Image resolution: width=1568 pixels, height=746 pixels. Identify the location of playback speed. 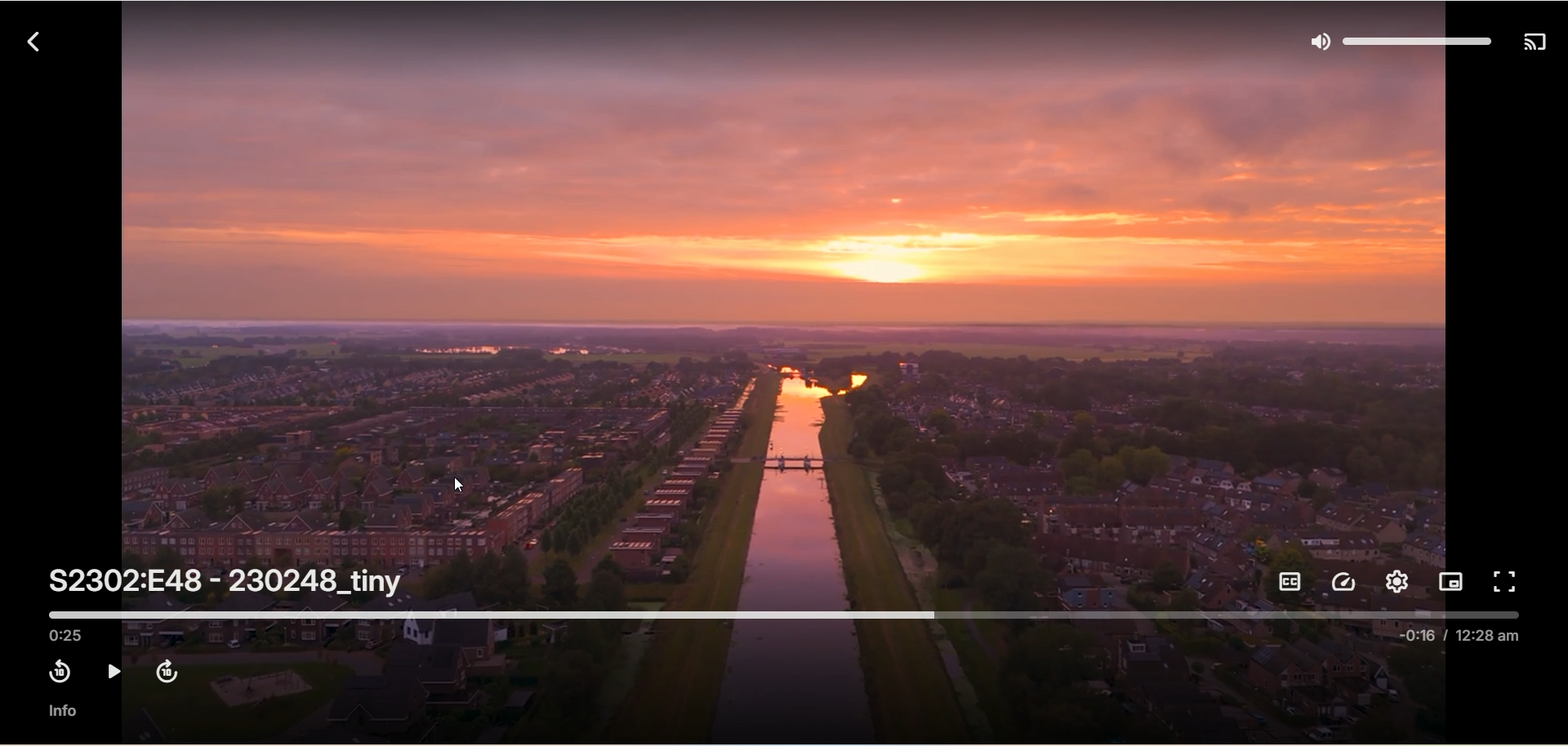
(1347, 582).